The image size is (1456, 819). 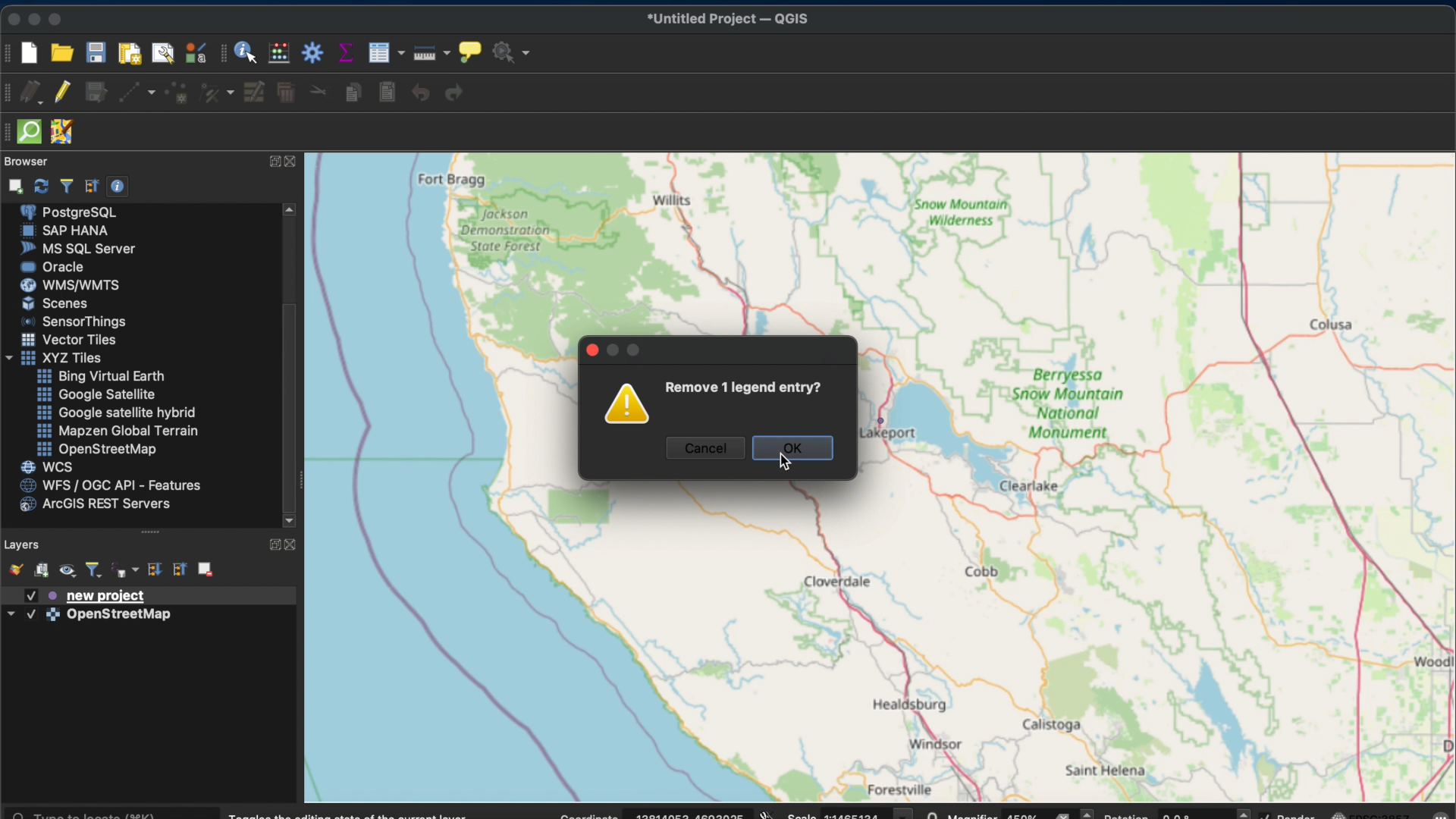 I want to click on save project, so click(x=96, y=54).